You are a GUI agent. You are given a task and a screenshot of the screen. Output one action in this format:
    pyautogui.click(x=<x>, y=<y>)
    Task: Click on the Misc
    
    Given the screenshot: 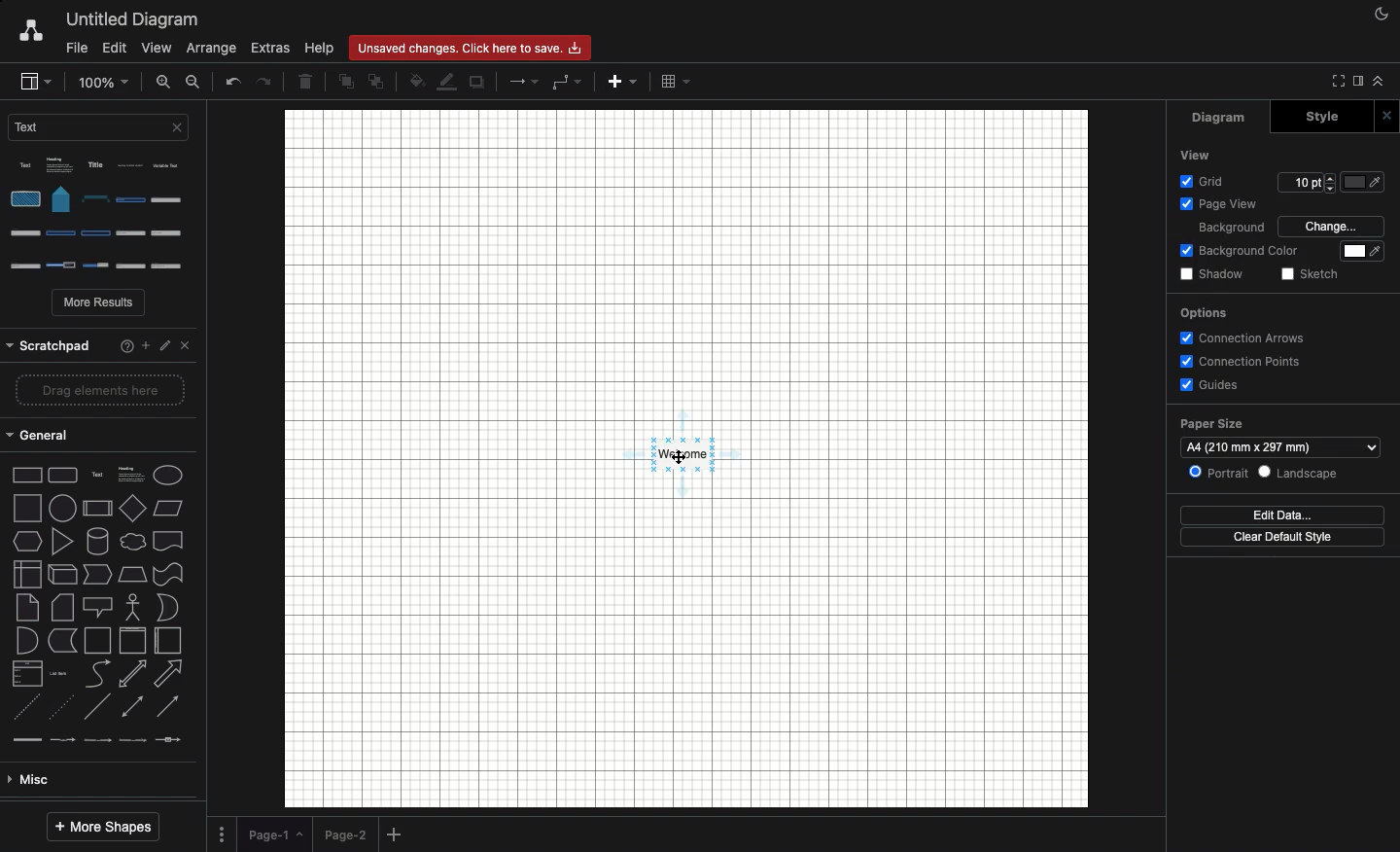 What is the action you would take?
    pyautogui.click(x=95, y=607)
    